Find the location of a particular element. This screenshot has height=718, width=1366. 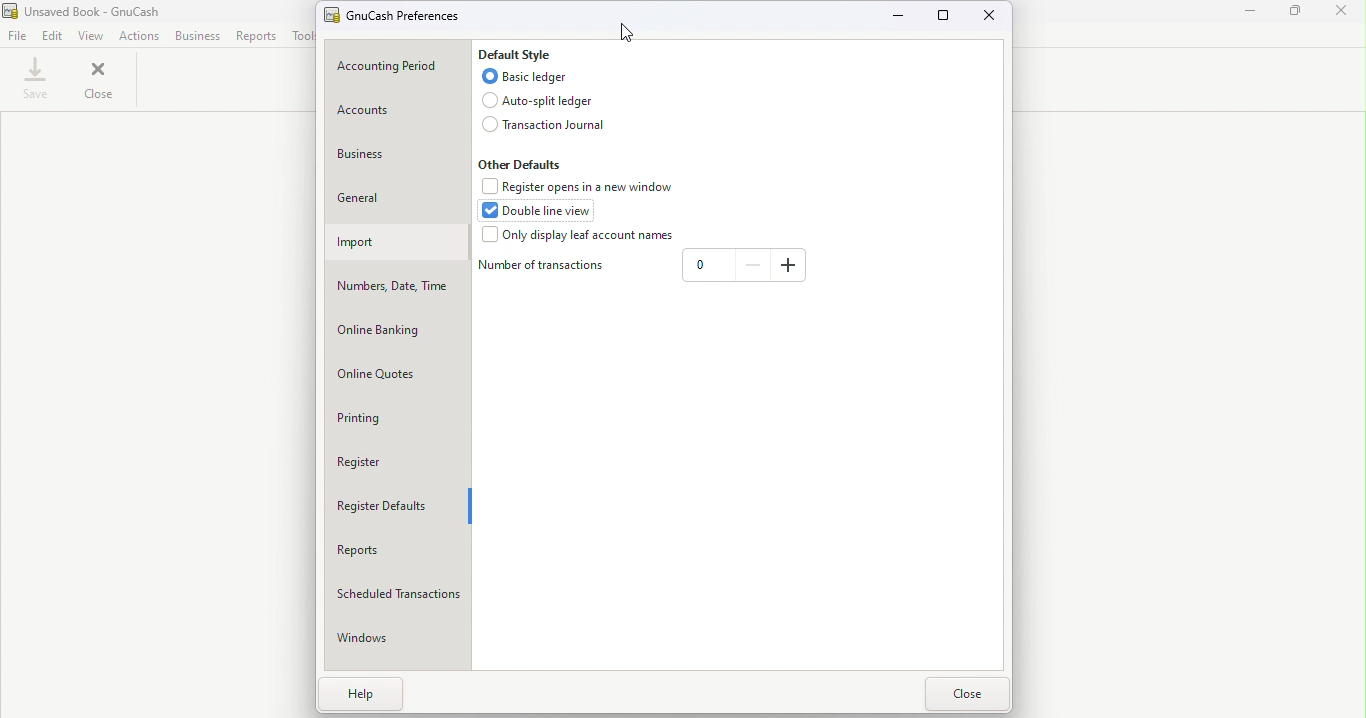

Minimize is located at coordinates (1248, 17).